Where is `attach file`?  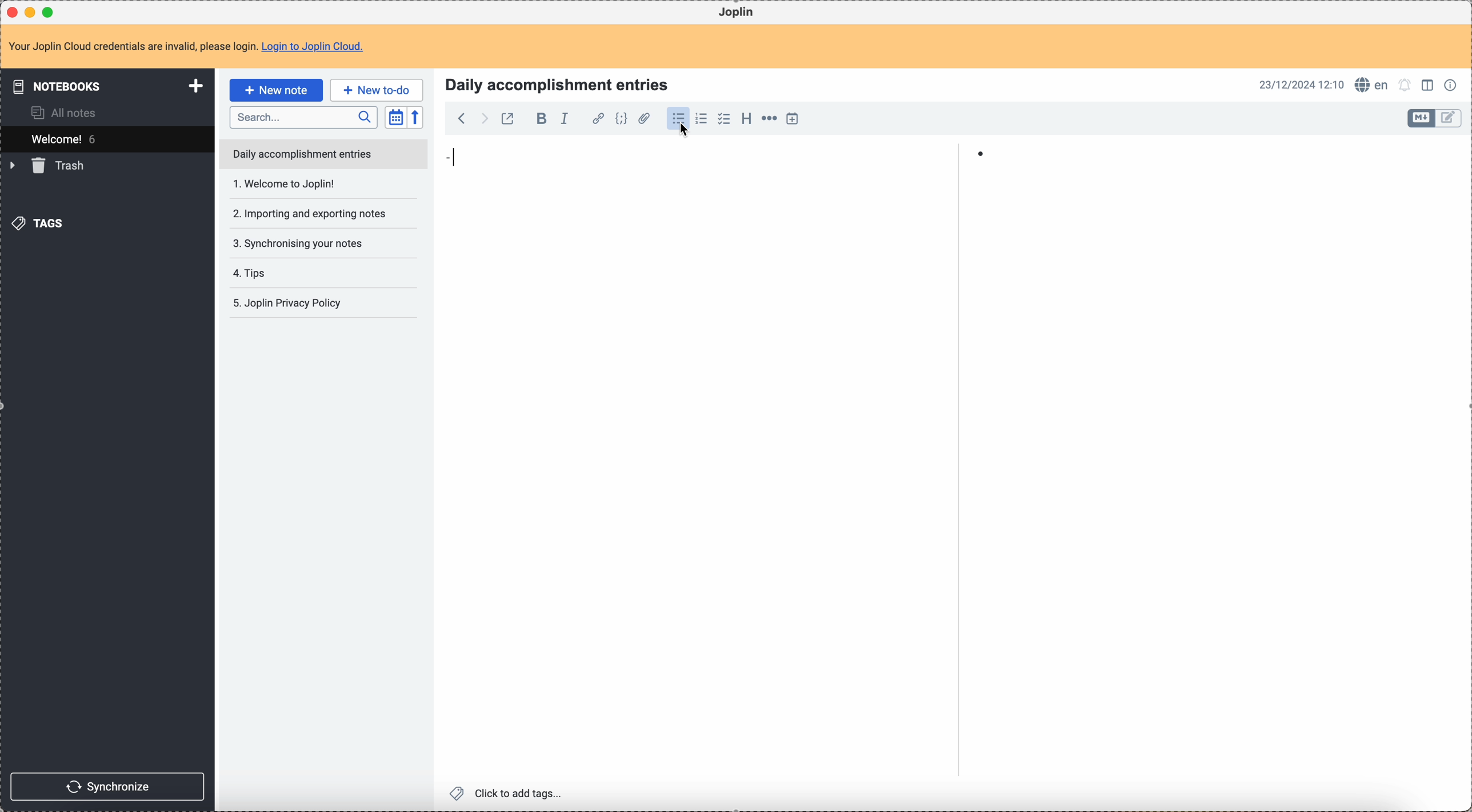
attach file is located at coordinates (644, 119).